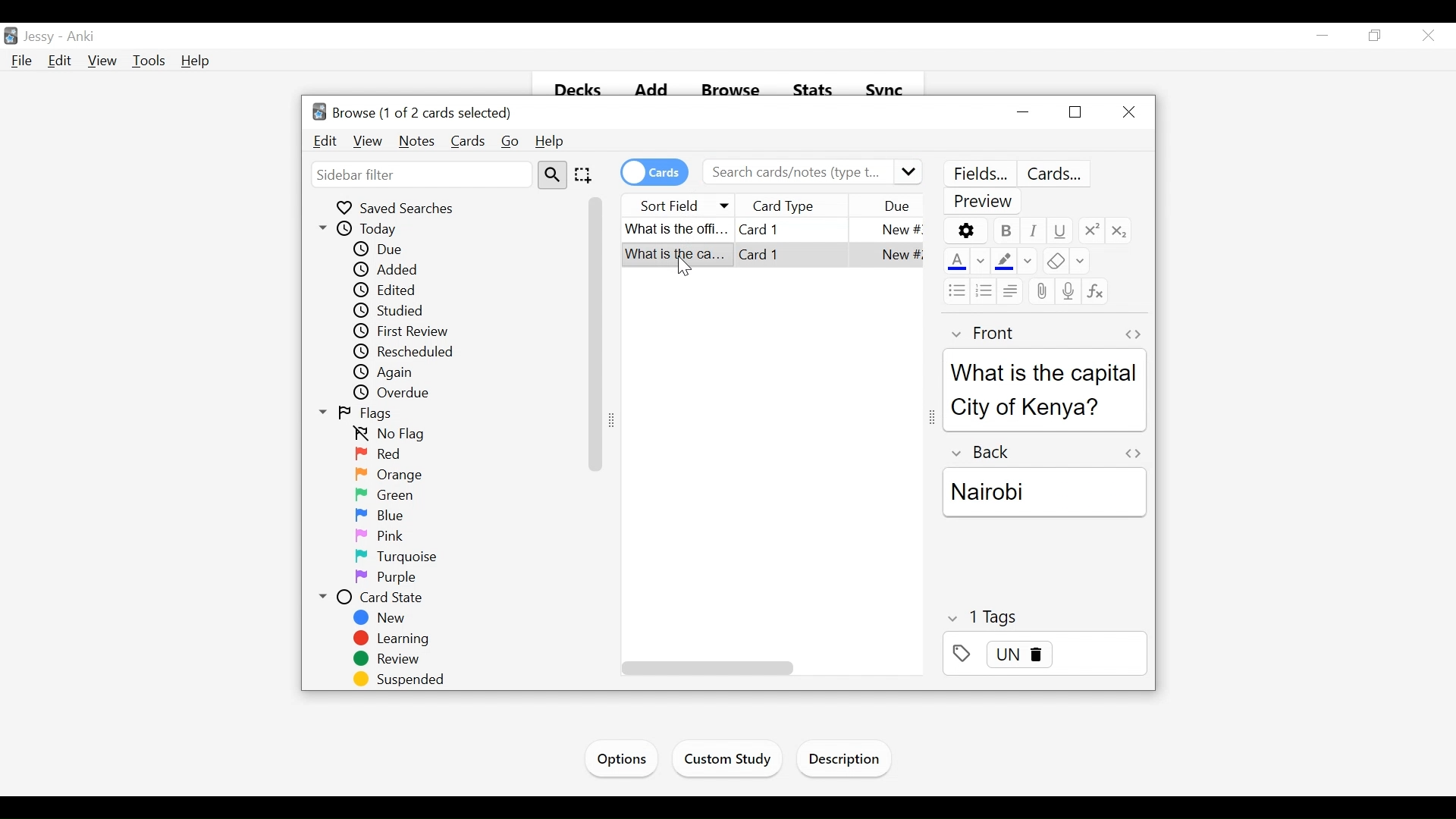 The image size is (1456, 819). Describe the element at coordinates (773, 258) in the screenshot. I see `Card` at that location.